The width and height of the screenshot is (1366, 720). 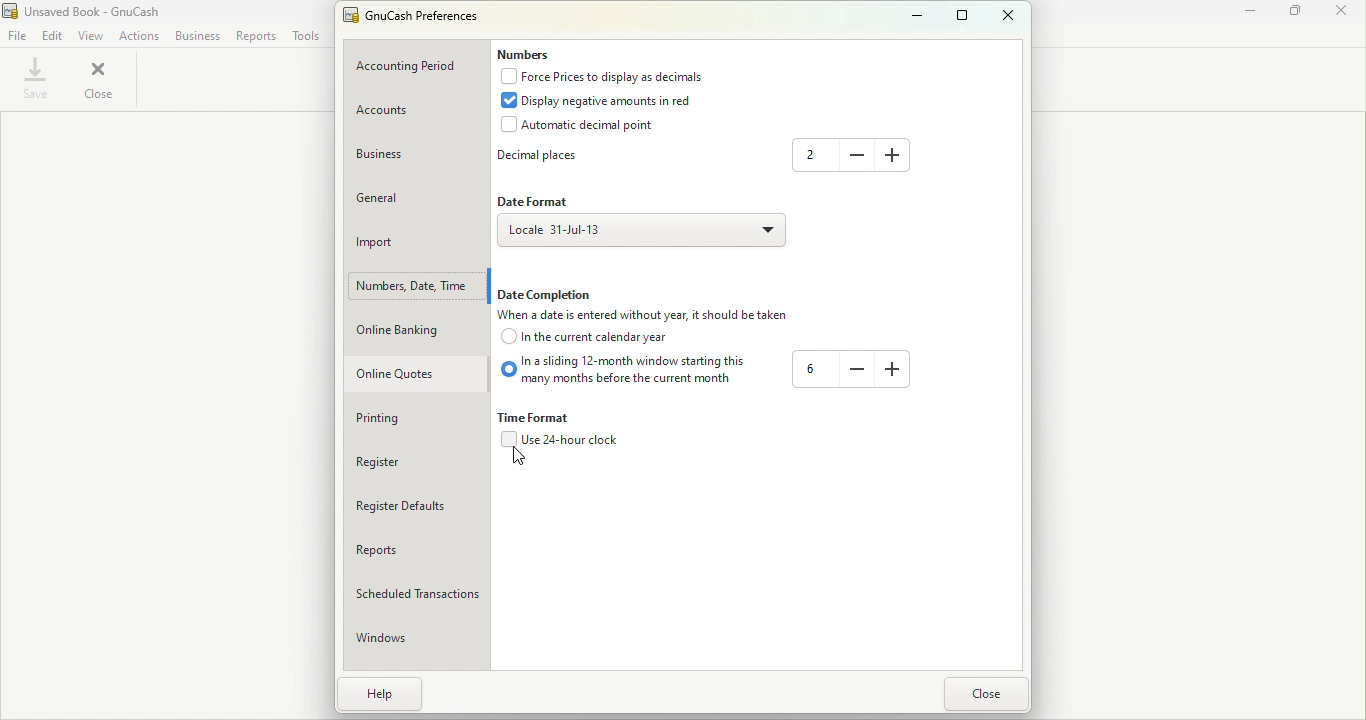 What do you see at coordinates (387, 637) in the screenshot?
I see `Windows` at bounding box center [387, 637].